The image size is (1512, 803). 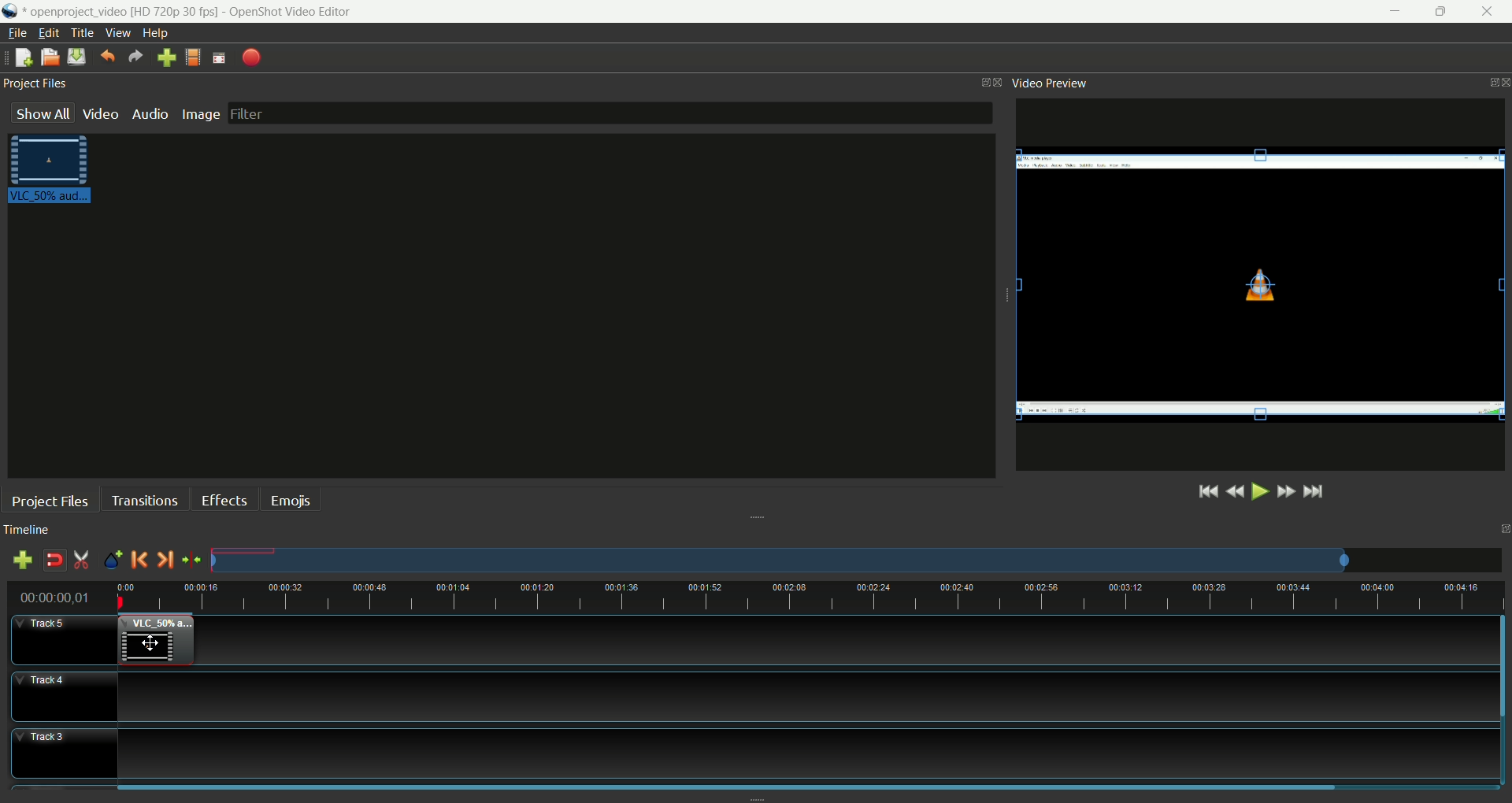 What do you see at coordinates (1289, 494) in the screenshot?
I see `fast forward` at bounding box center [1289, 494].